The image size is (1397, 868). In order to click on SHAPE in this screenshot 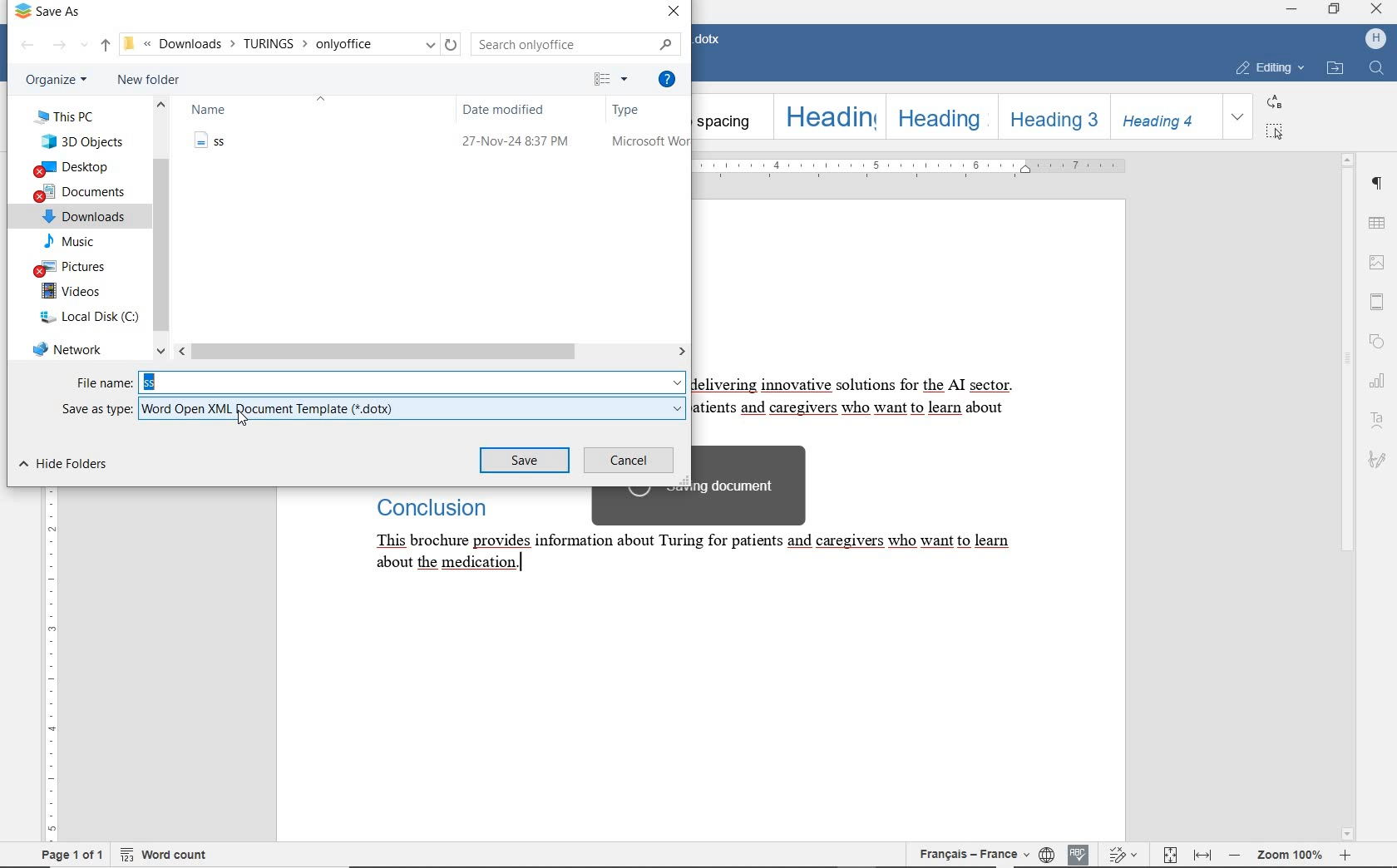, I will do `click(1380, 342)`.